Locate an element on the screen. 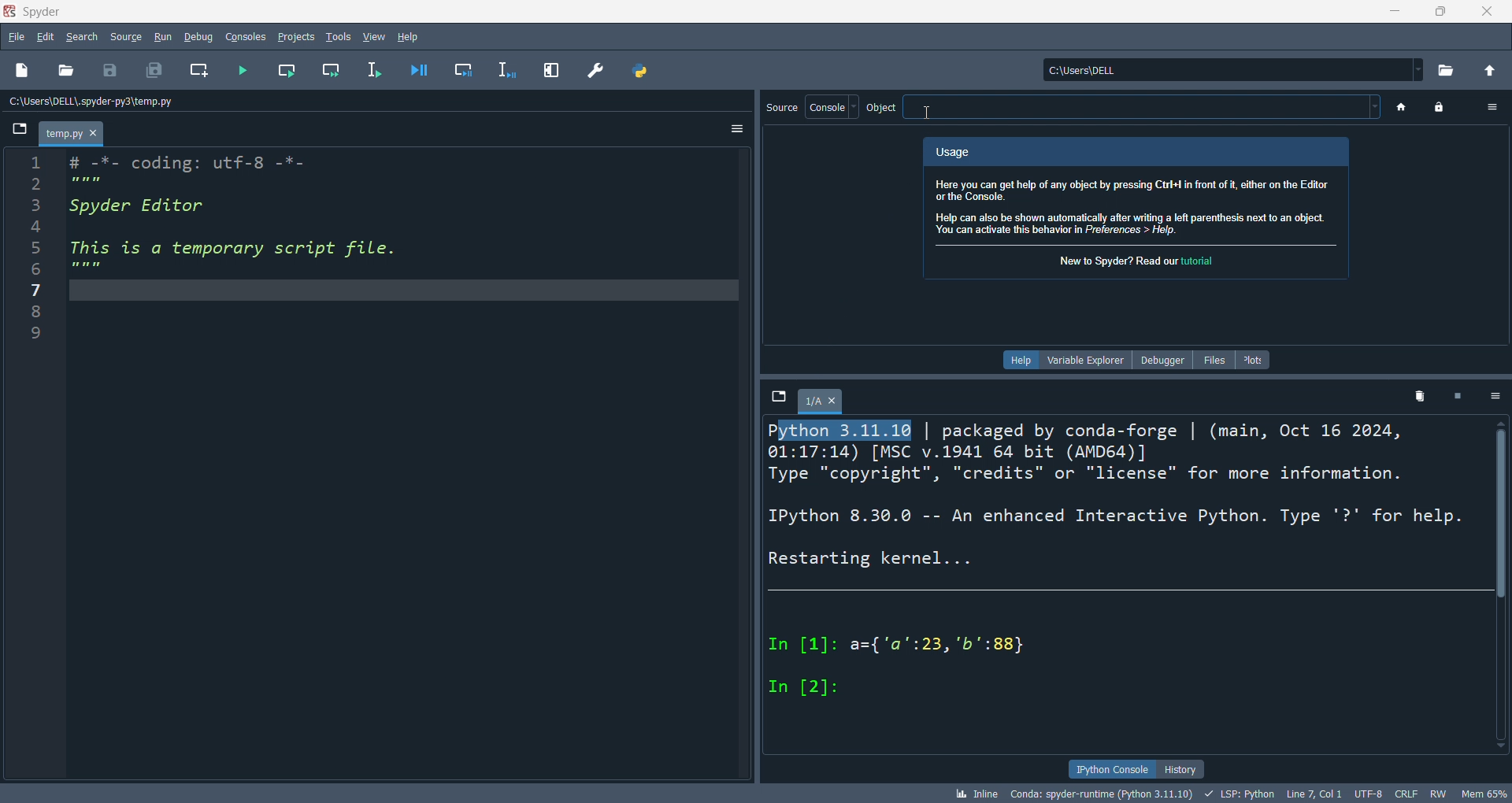 The image size is (1512, 803). RW is located at coordinates (1441, 793).